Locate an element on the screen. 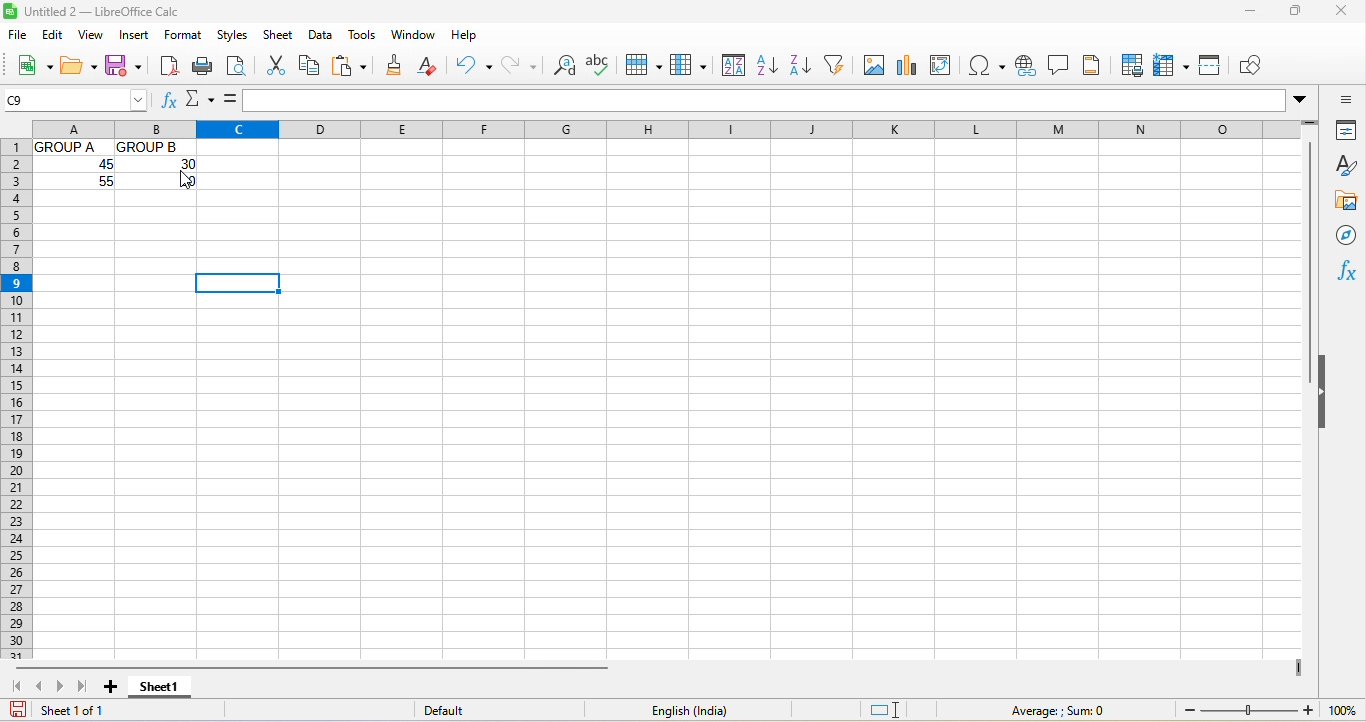 The image size is (1366, 722). LibreOffice Logo is located at coordinates (10, 11).